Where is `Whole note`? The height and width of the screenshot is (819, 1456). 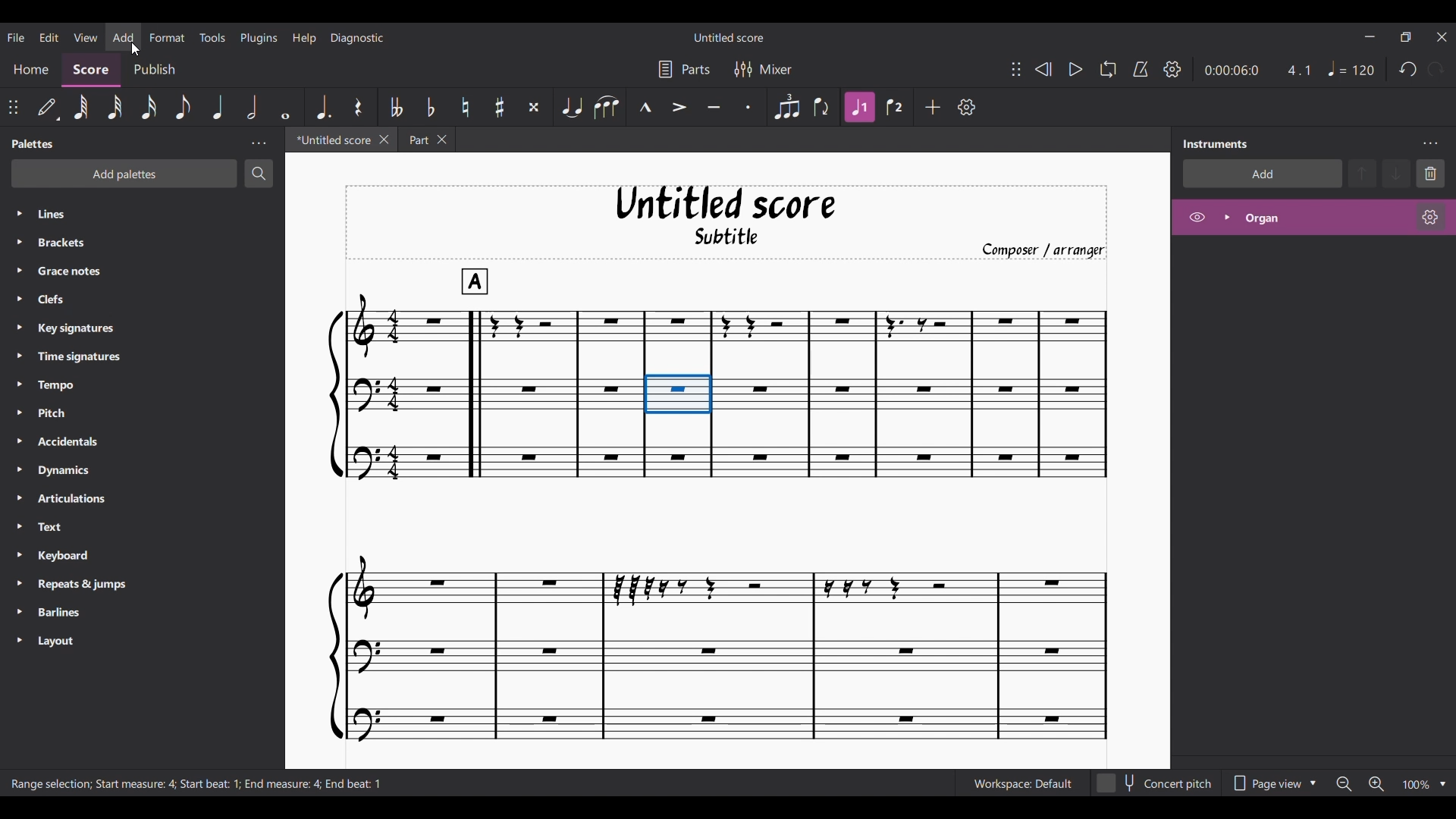
Whole note is located at coordinates (287, 108).